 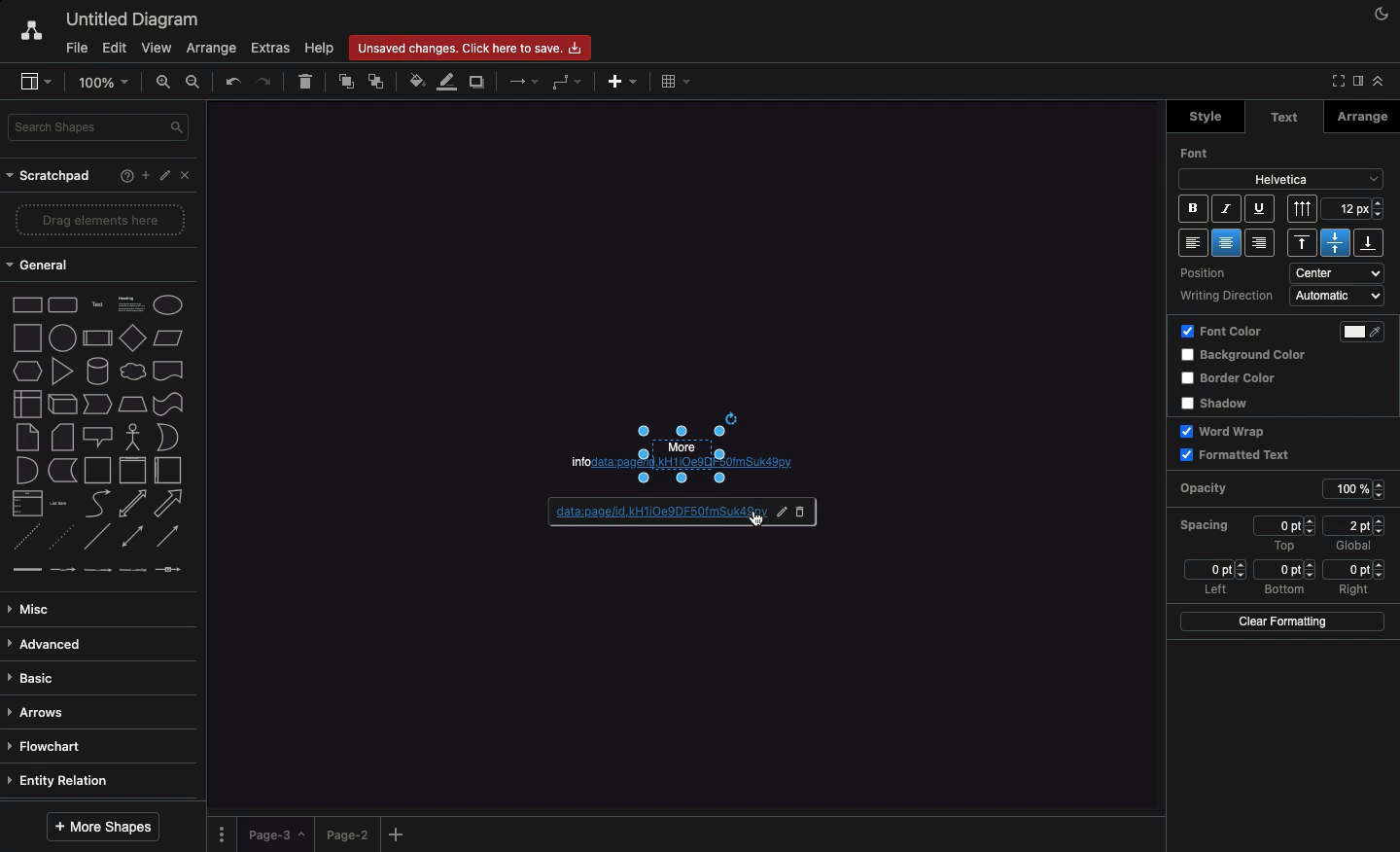 What do you see at coordinates (100, 127) in the screenshot?
I see `Search shapes` at bounding box center [100, 127].